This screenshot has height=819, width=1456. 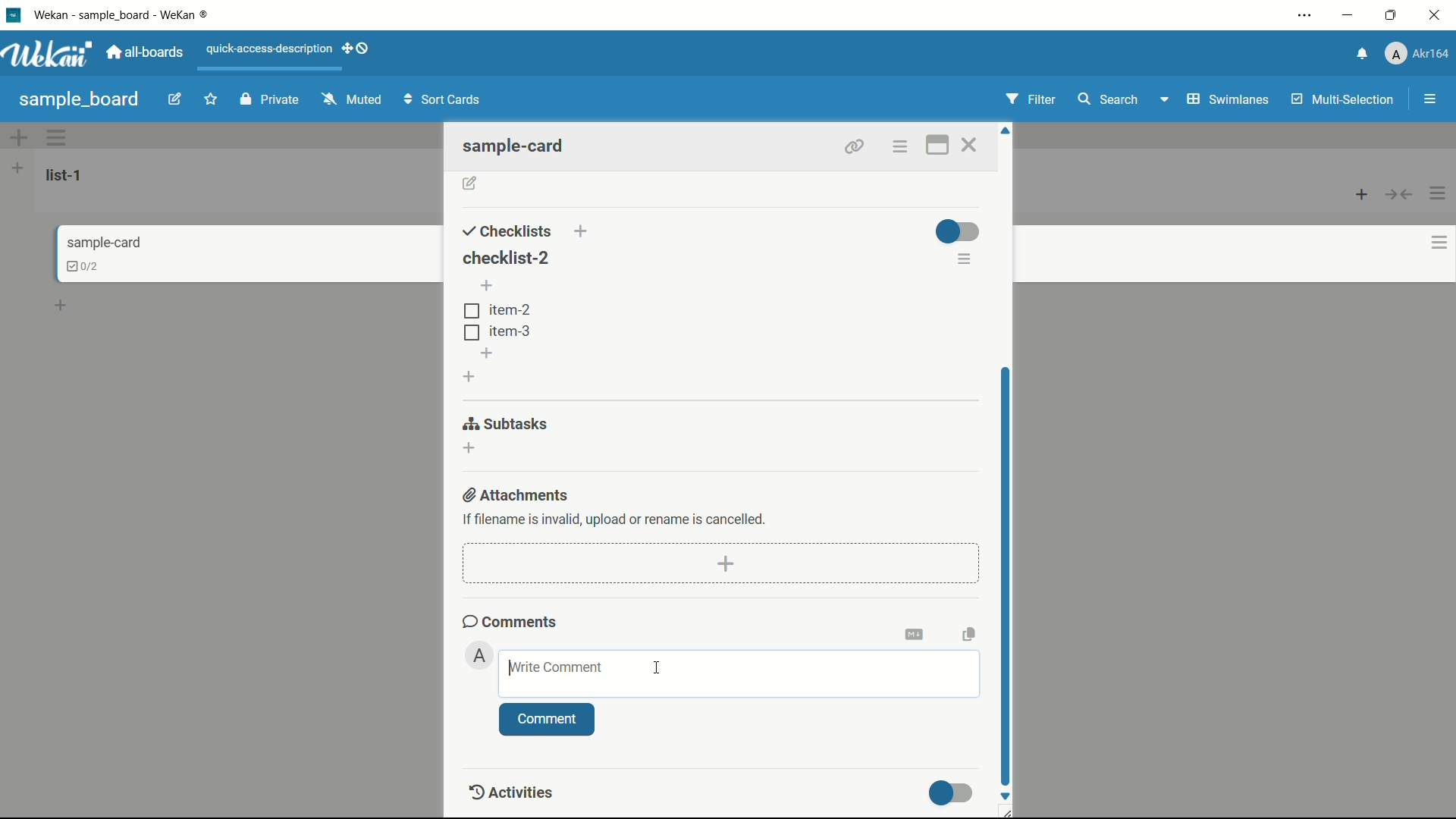 What do you see at coordinates (957, 231) in the screenshot?
I see `toggle button` at bounding box center [957, 231].